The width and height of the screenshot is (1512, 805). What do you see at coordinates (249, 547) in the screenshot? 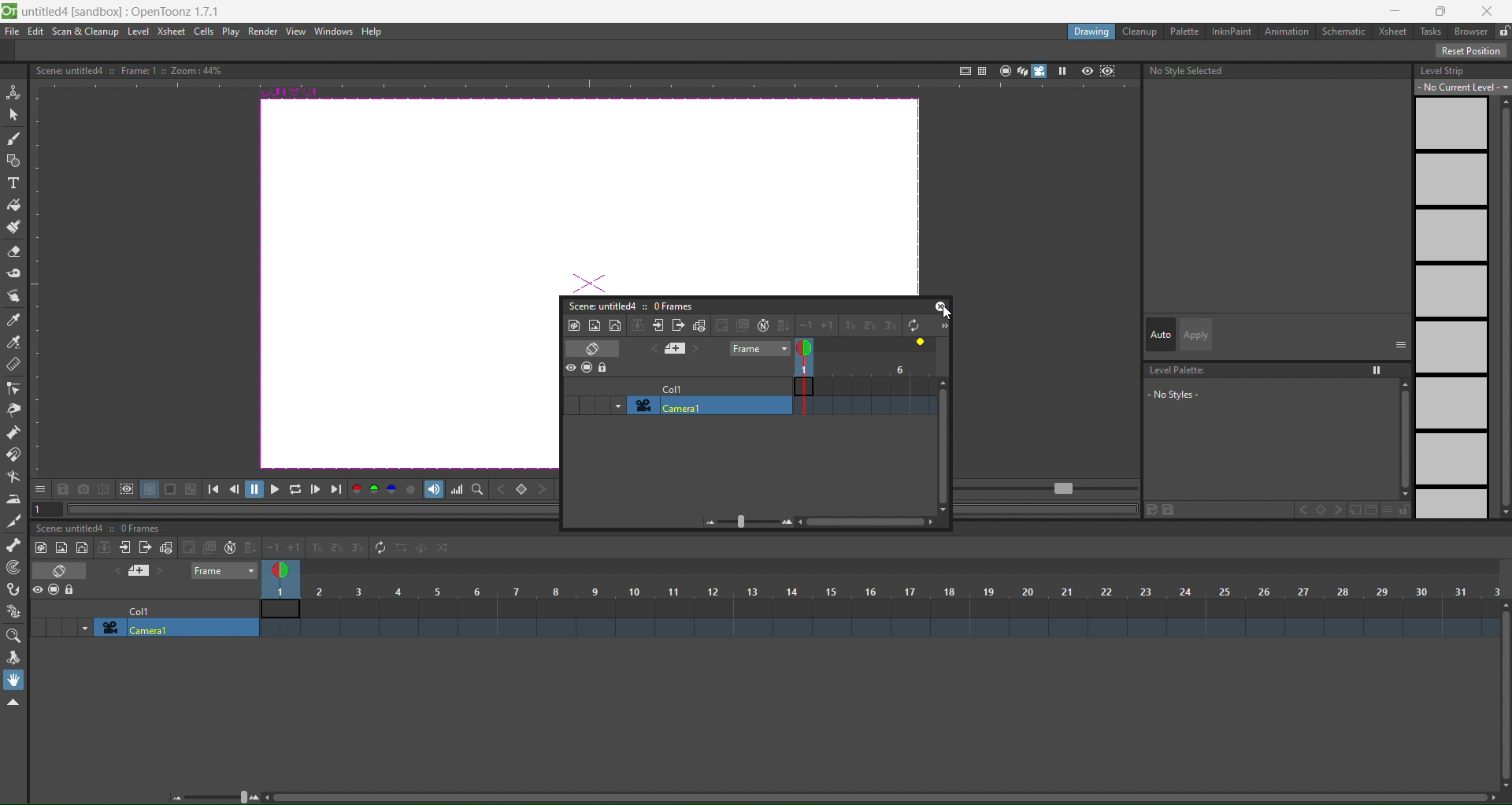
I see `fill in empty cells` at bounding box center [249, 547].